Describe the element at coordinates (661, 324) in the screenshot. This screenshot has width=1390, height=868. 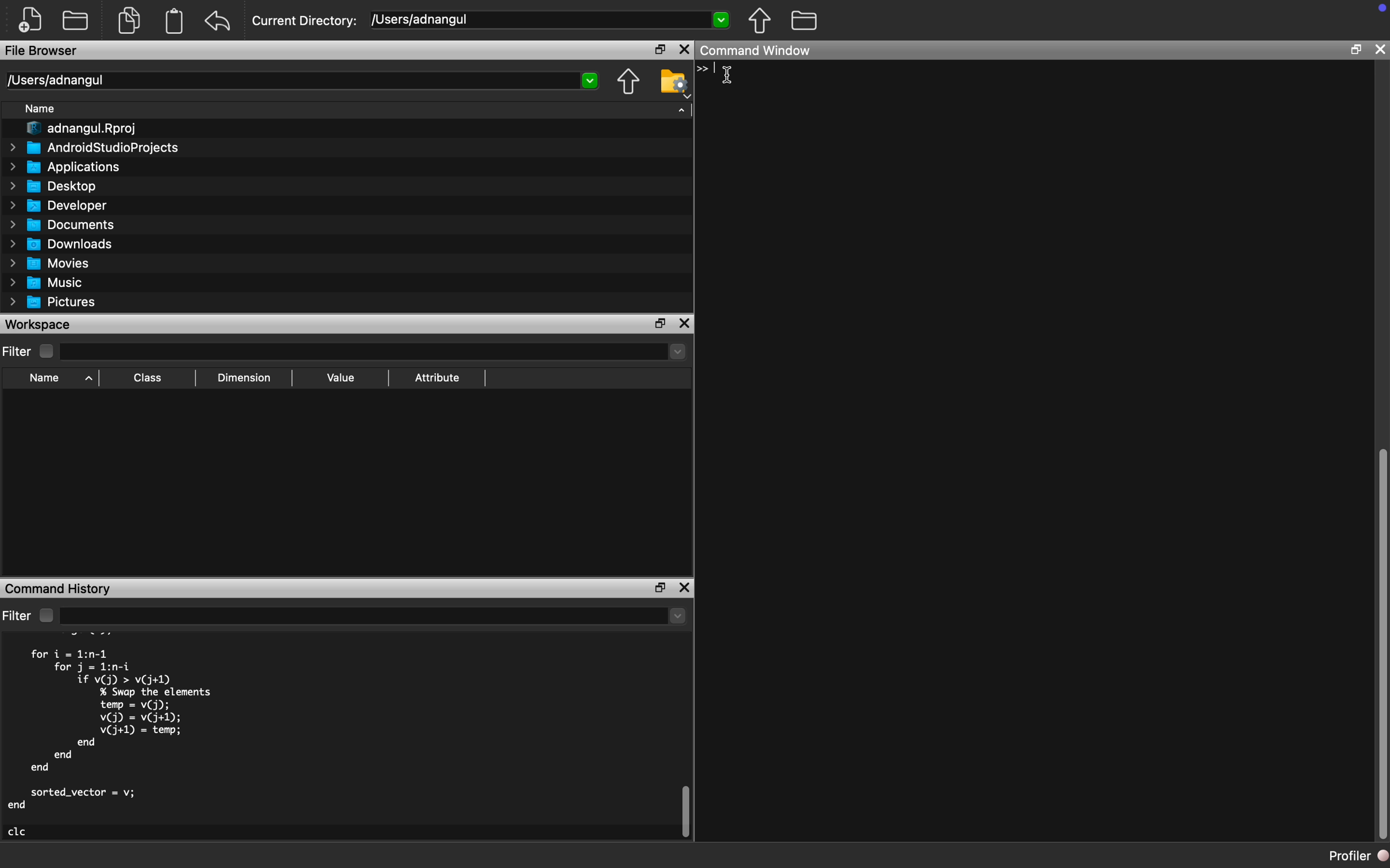
I see `Restore Down` at that location.